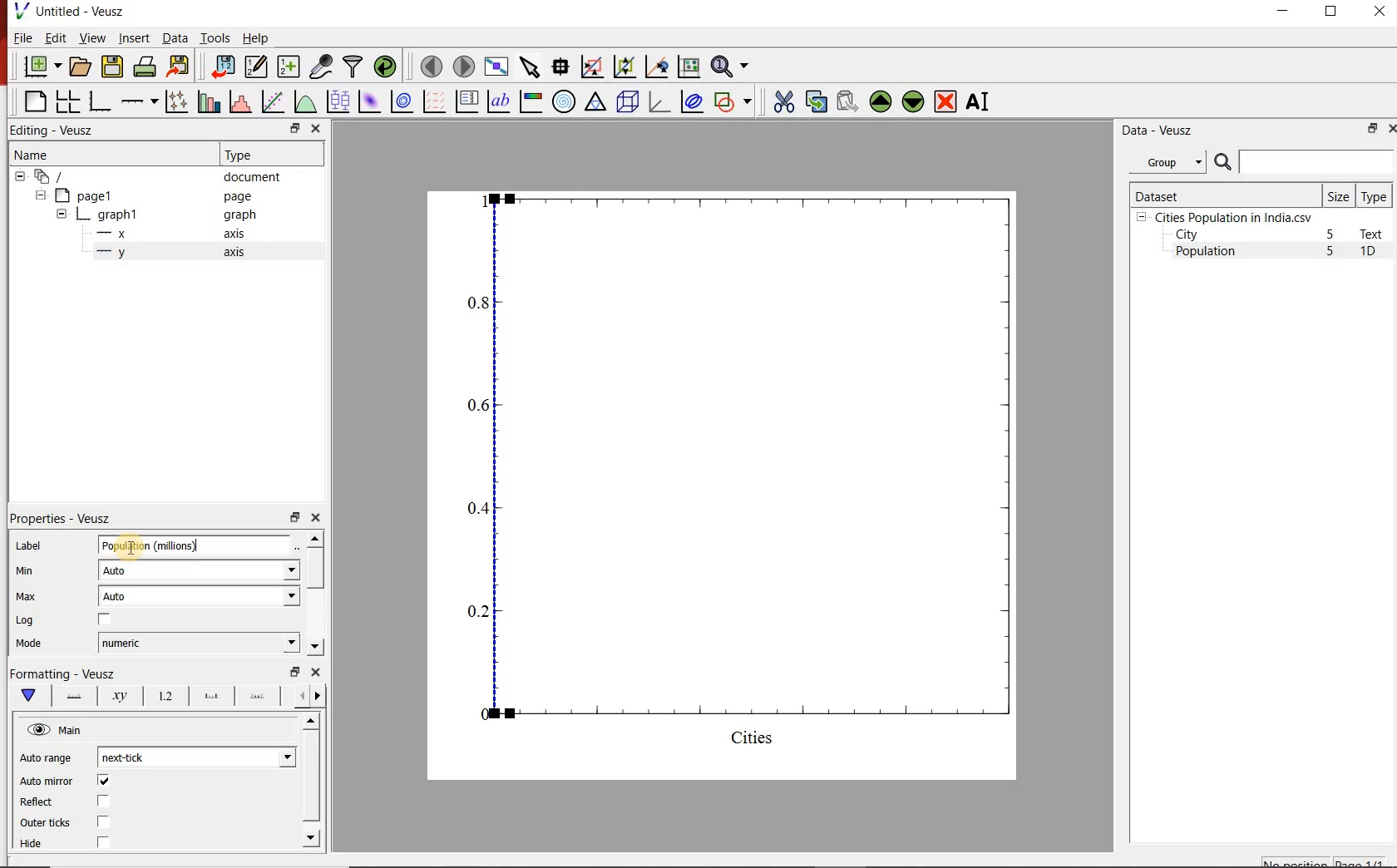 The image size is (1397, 868). Describe the element at coordinates (353, 67) in the screenshot. I see `filter data` at that location.